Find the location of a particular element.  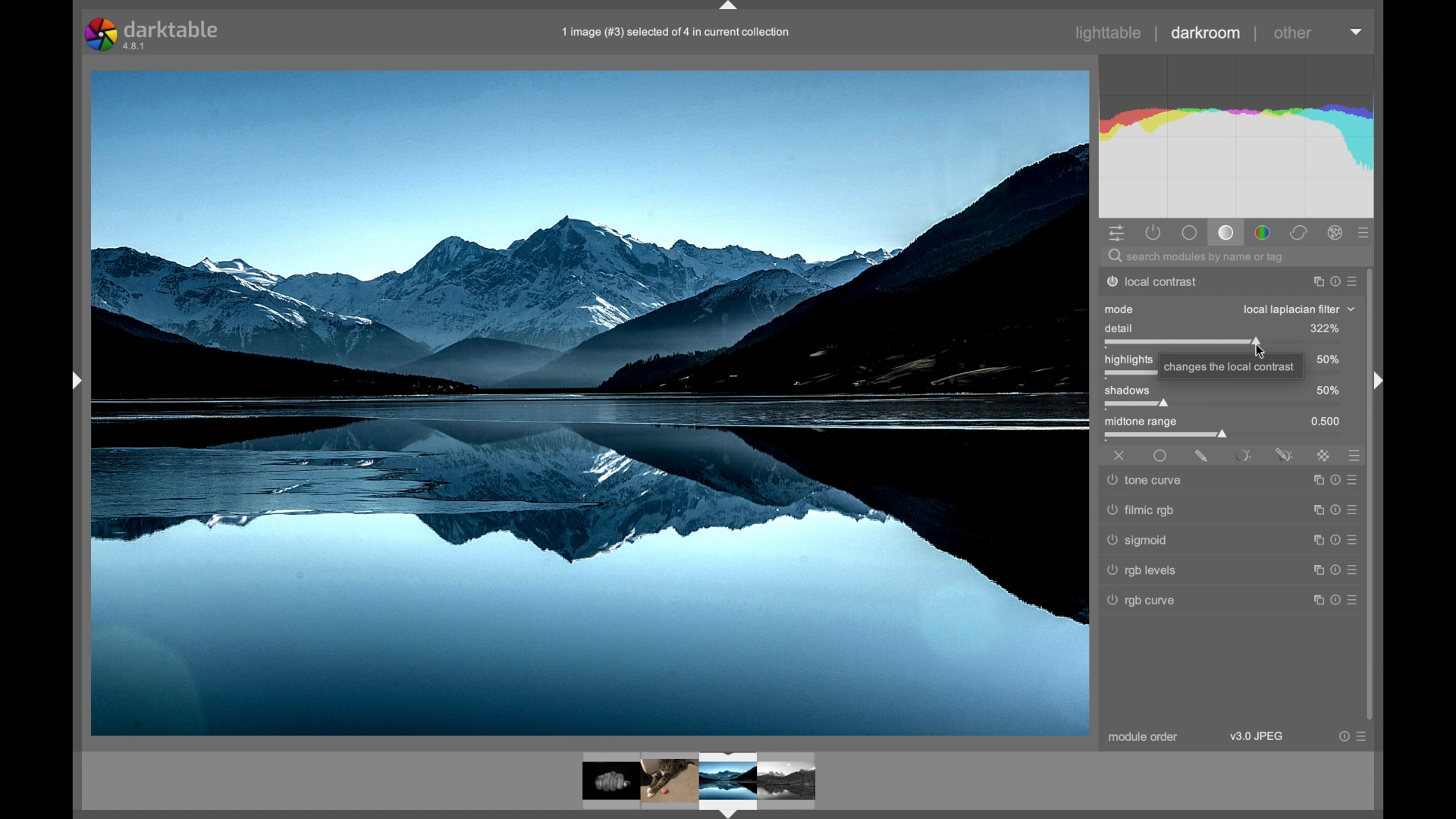

midtown range is located at coordinates (1142, 422).